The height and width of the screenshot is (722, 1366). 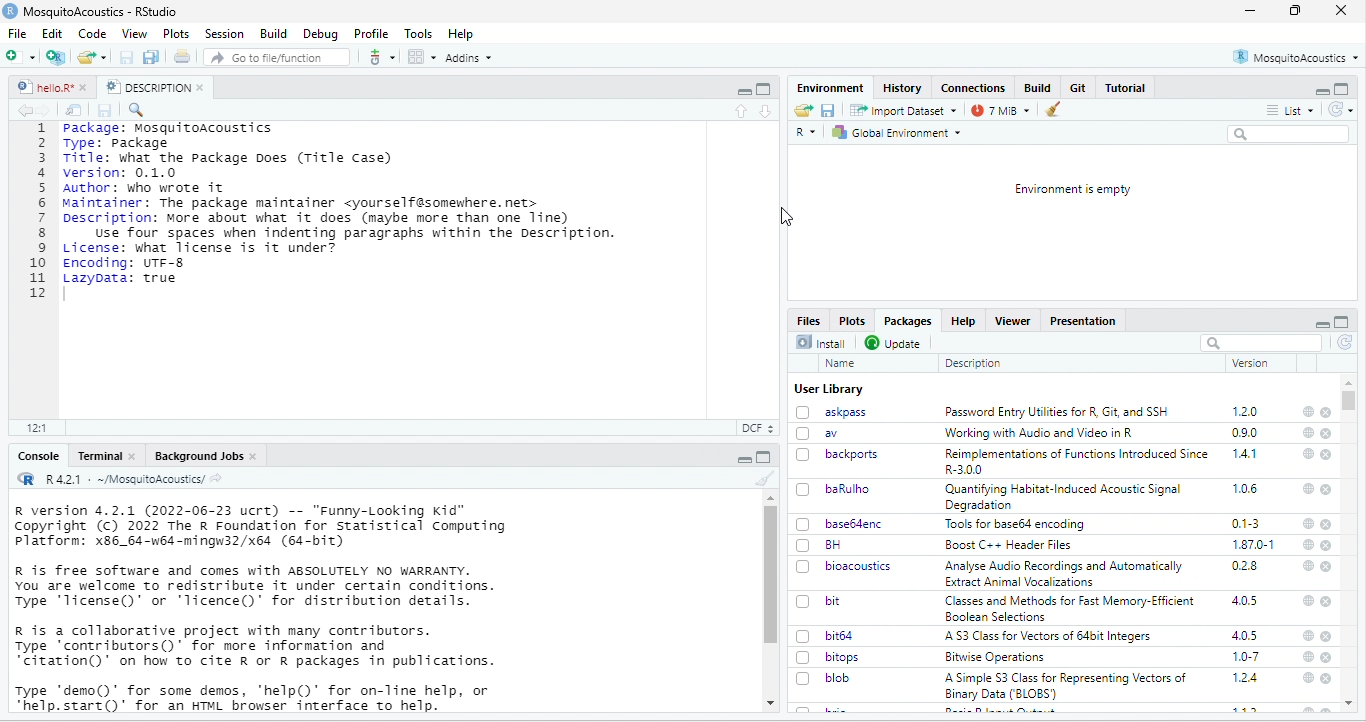 What do you see at coordinates (372, 33) in the screenshot?
I see `Profile` at bounding box center [372, 33].